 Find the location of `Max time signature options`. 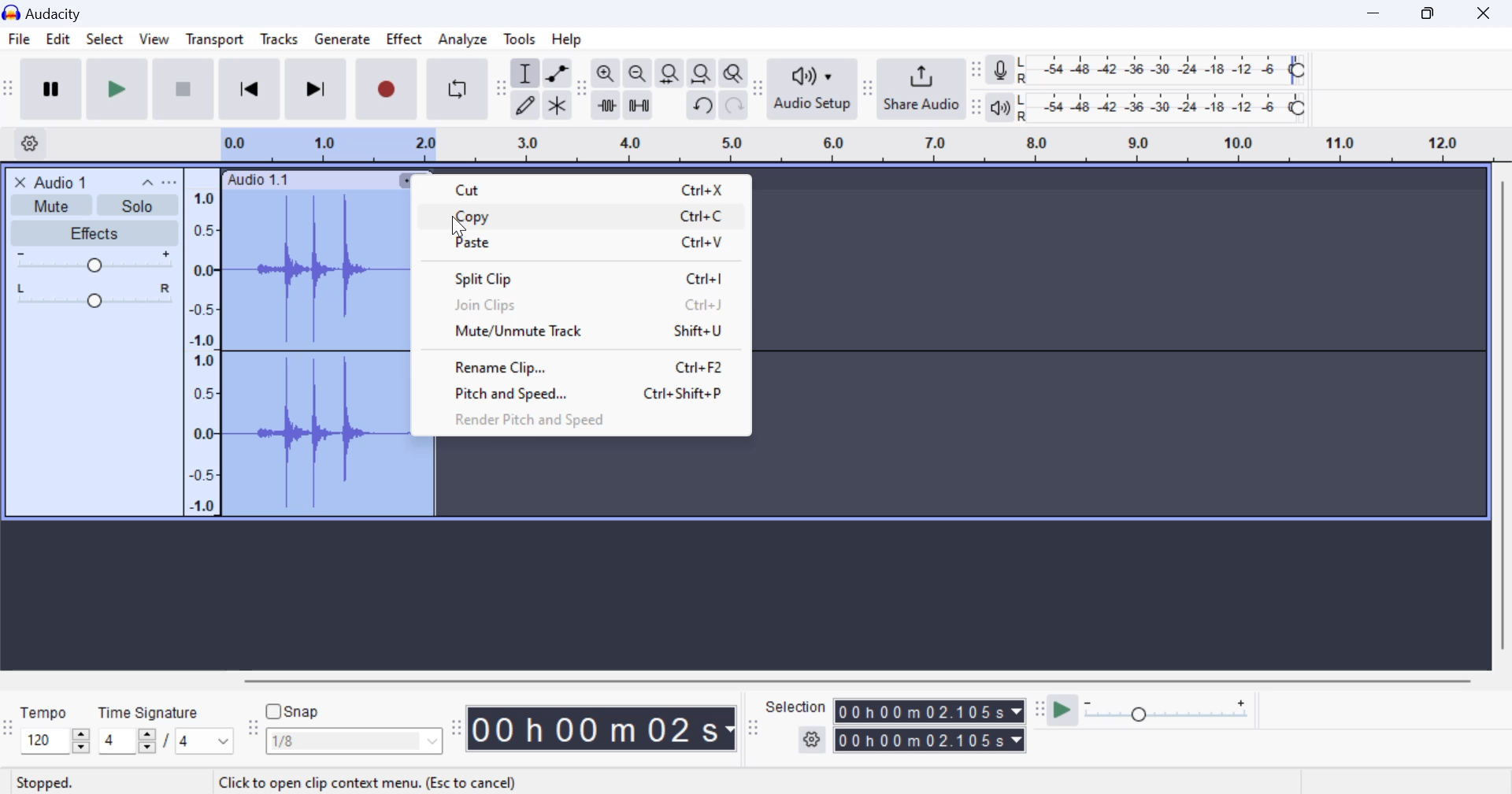

Max time signature options is located at coordinates (205, 742).